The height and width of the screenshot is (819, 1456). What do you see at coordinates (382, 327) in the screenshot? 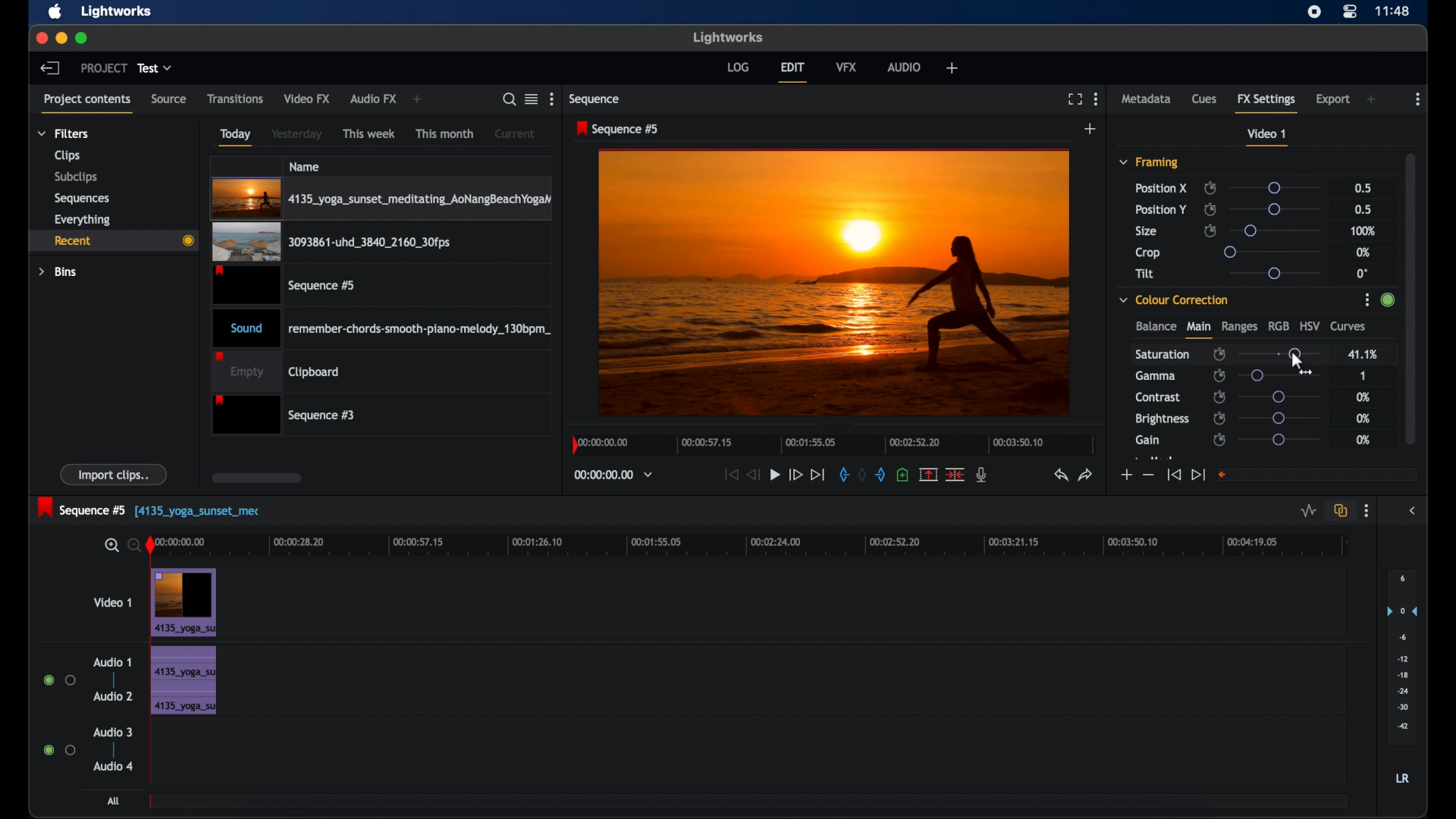
I see `audio clip` at bounding box center [382, 327].